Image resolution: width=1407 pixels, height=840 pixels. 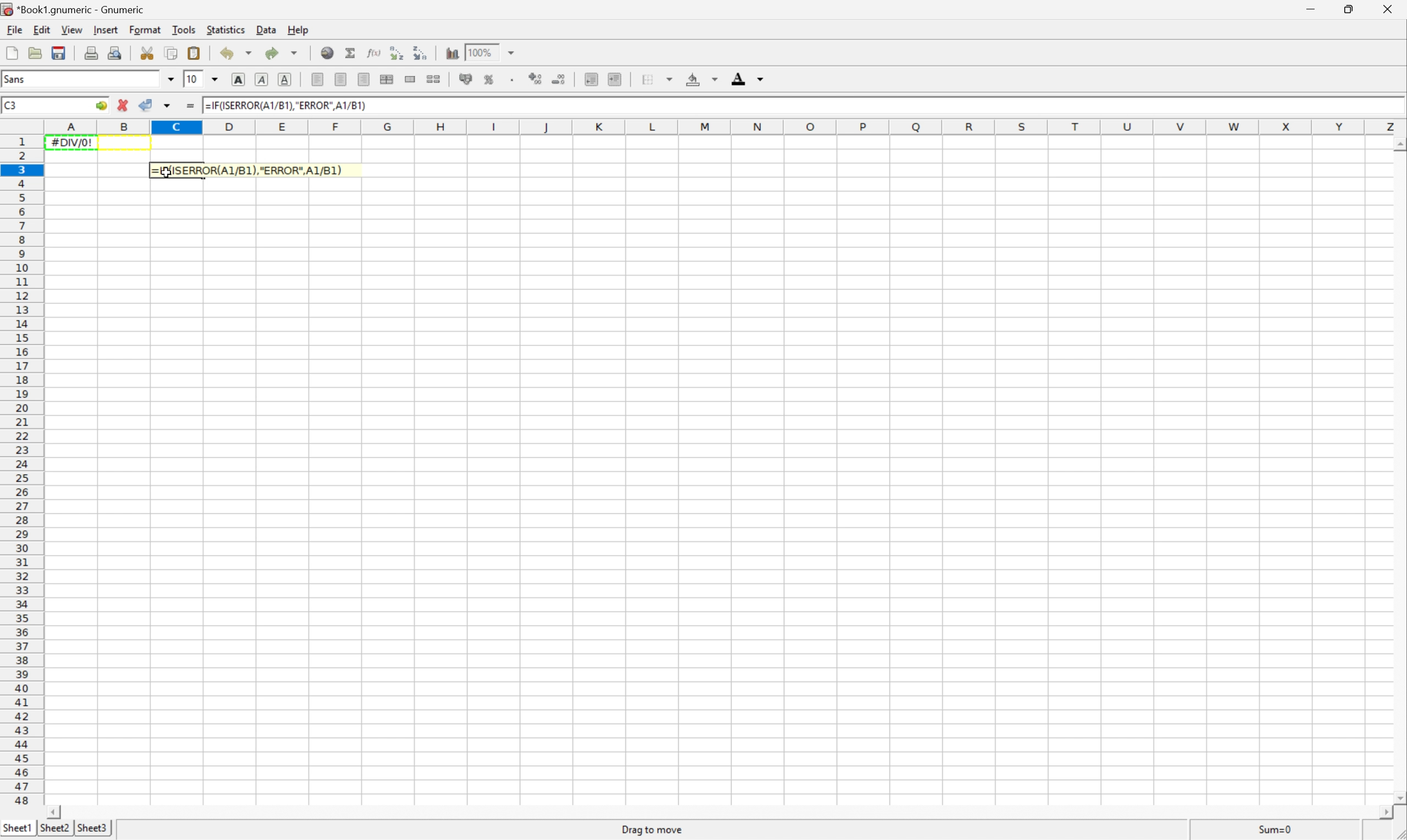 I want to click on Center horizontally across selection, so click(x=388, y=79).